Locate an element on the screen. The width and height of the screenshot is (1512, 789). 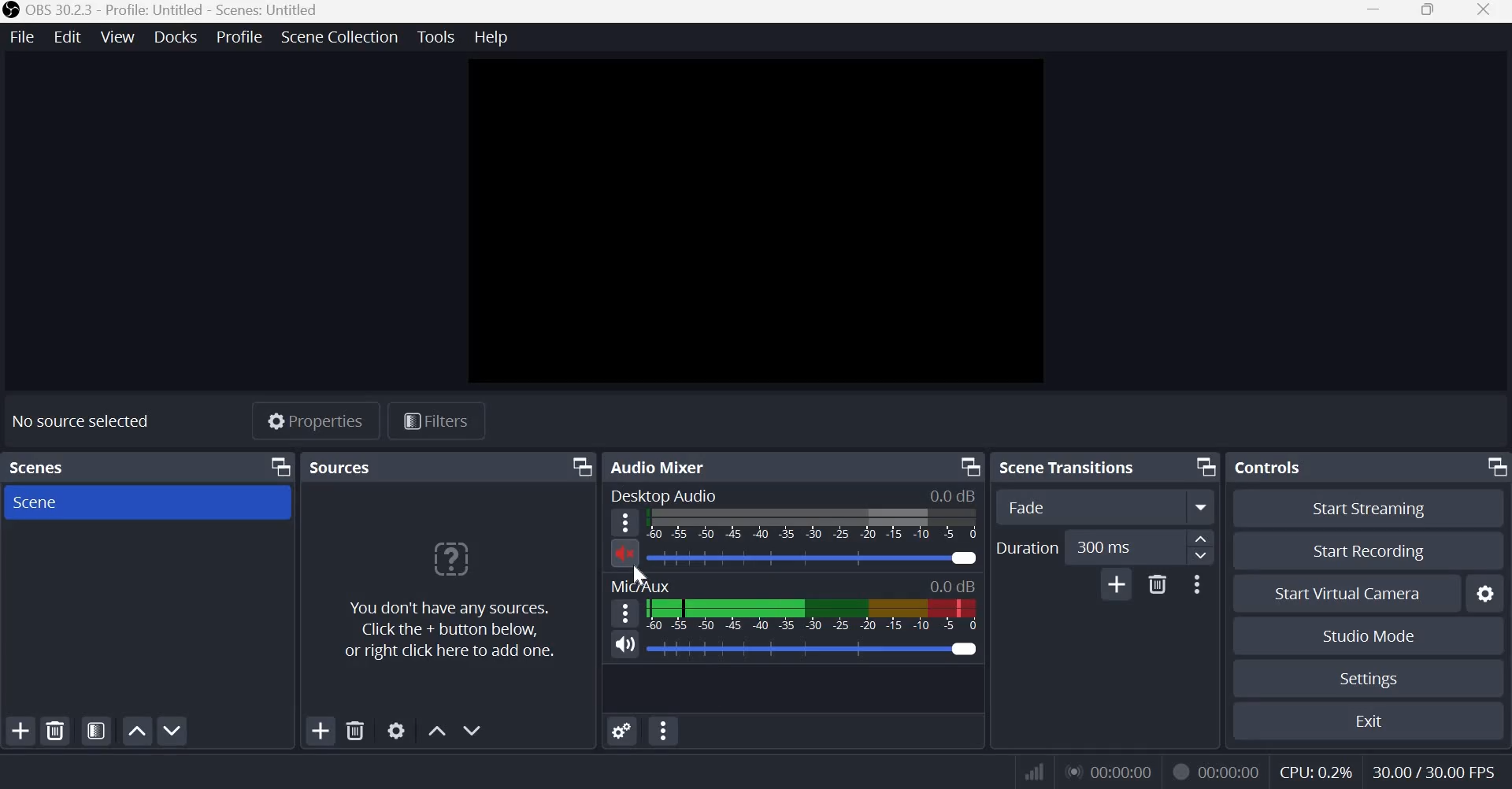
Dock Options icon is located at coordinates (278, 465).